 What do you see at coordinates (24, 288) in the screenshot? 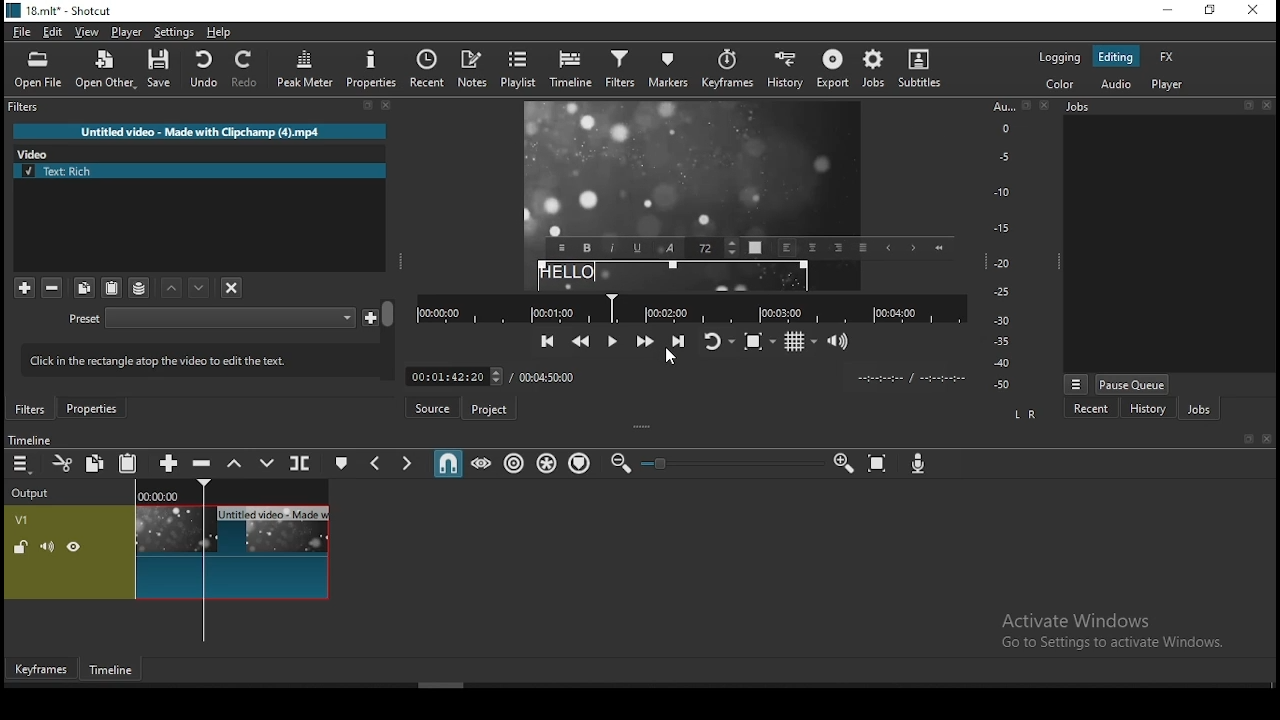
I see `add filter` at bounding box center [24, 288].